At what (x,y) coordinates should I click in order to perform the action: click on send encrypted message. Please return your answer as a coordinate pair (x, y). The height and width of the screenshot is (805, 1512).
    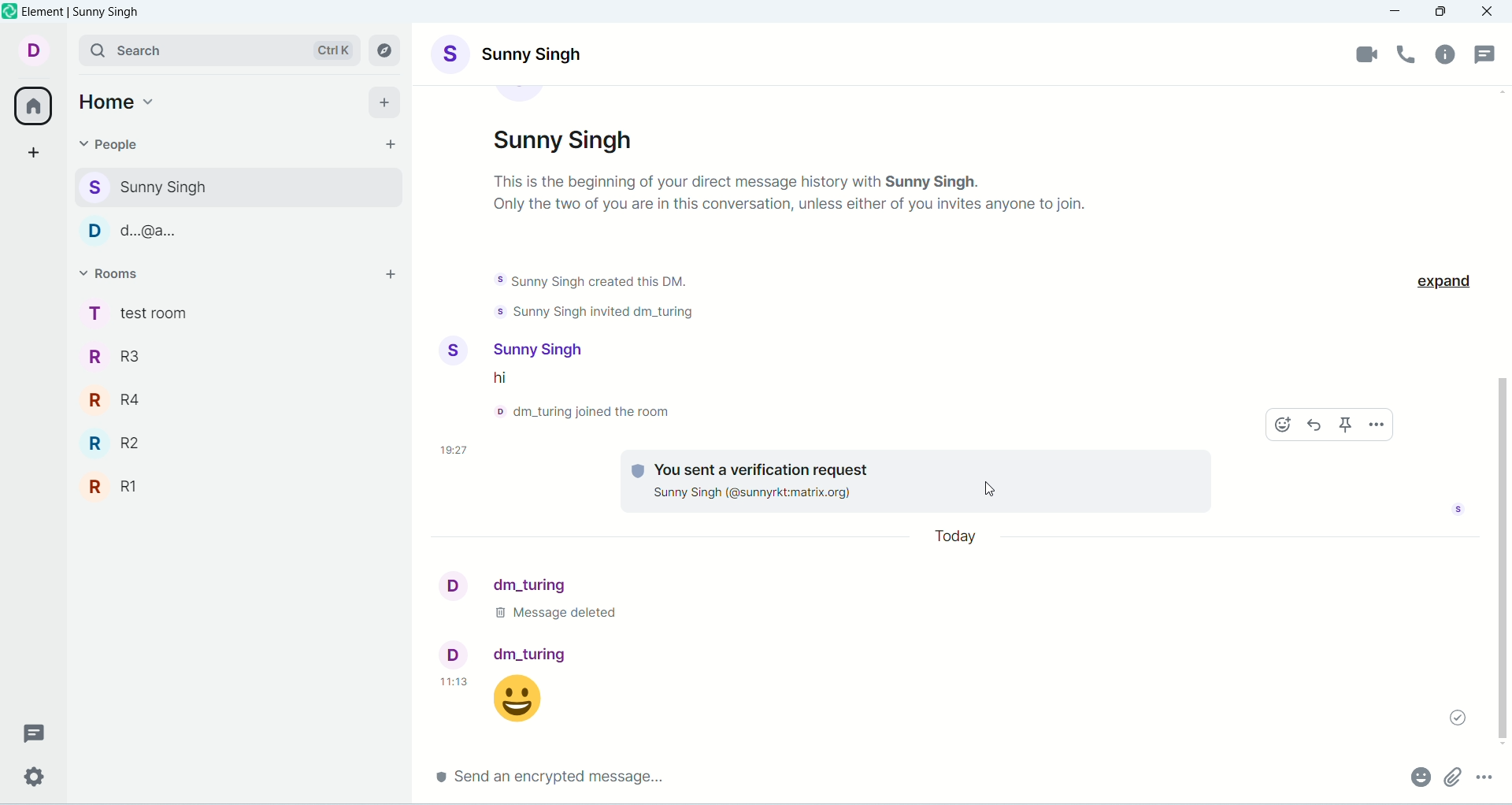
    Looking at the image, I should click on (905, 781).